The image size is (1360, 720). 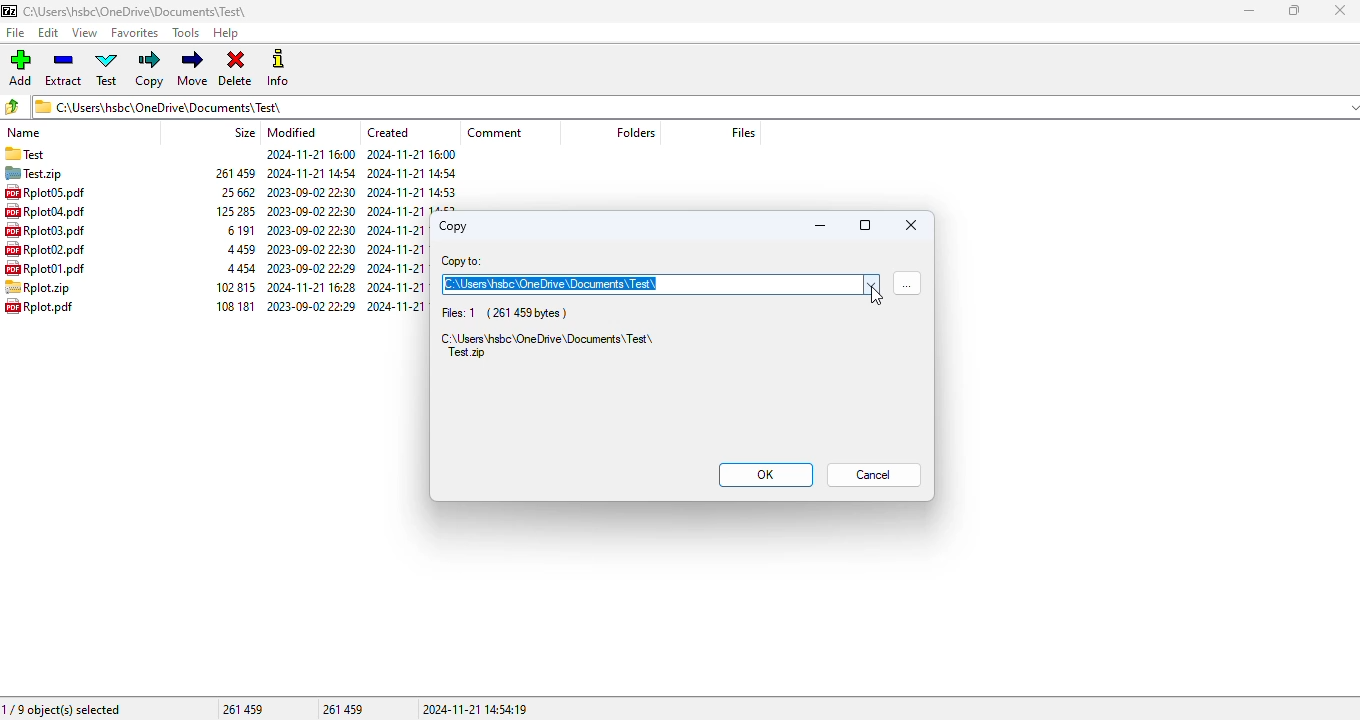 I want to click on C:\Users\hsbc\OneDrive\Documents\Test\Test.zip, so click(x=547, y=345).